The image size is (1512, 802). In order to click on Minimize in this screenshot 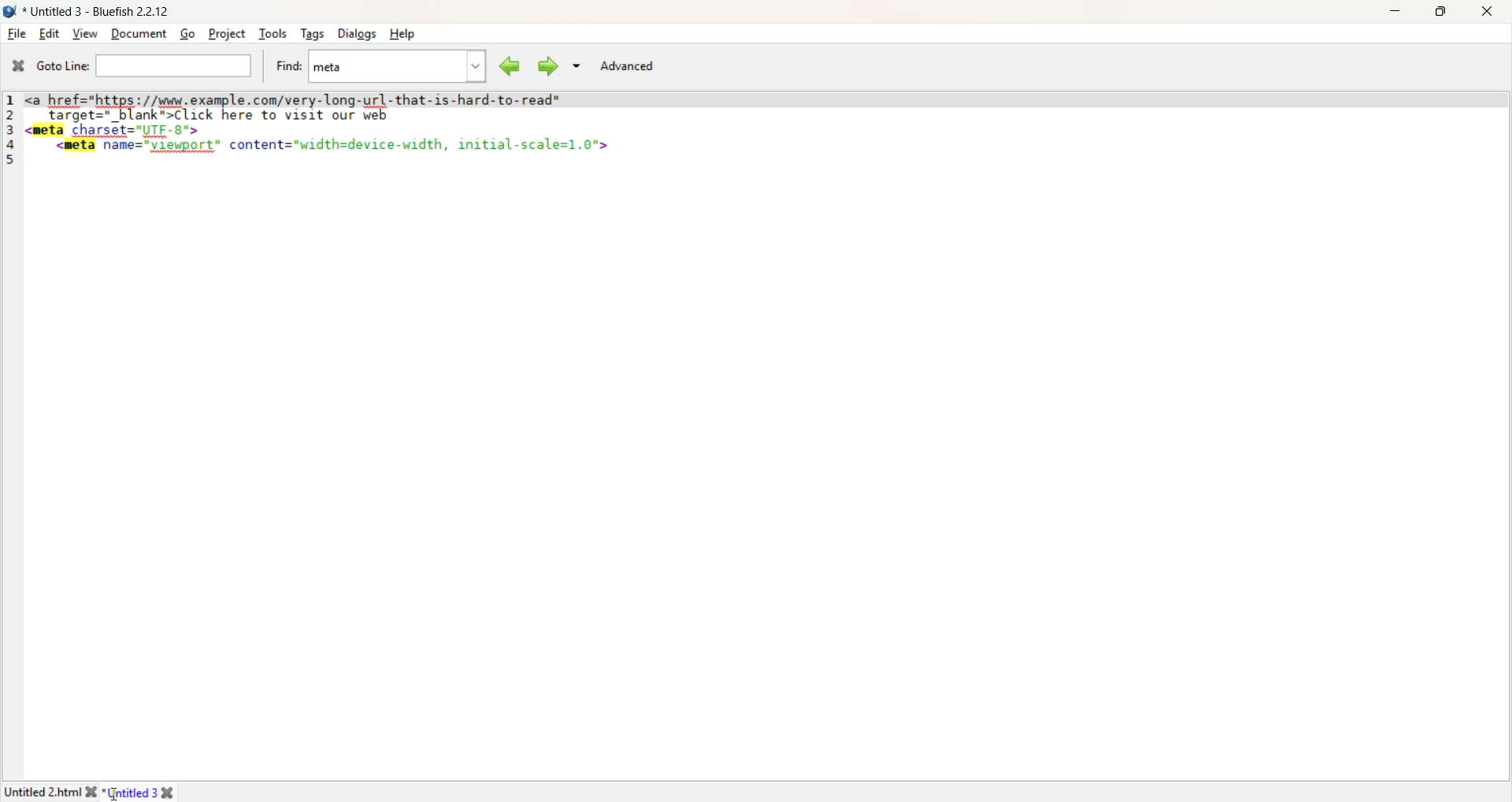, I will do `click(1394, 10)`.